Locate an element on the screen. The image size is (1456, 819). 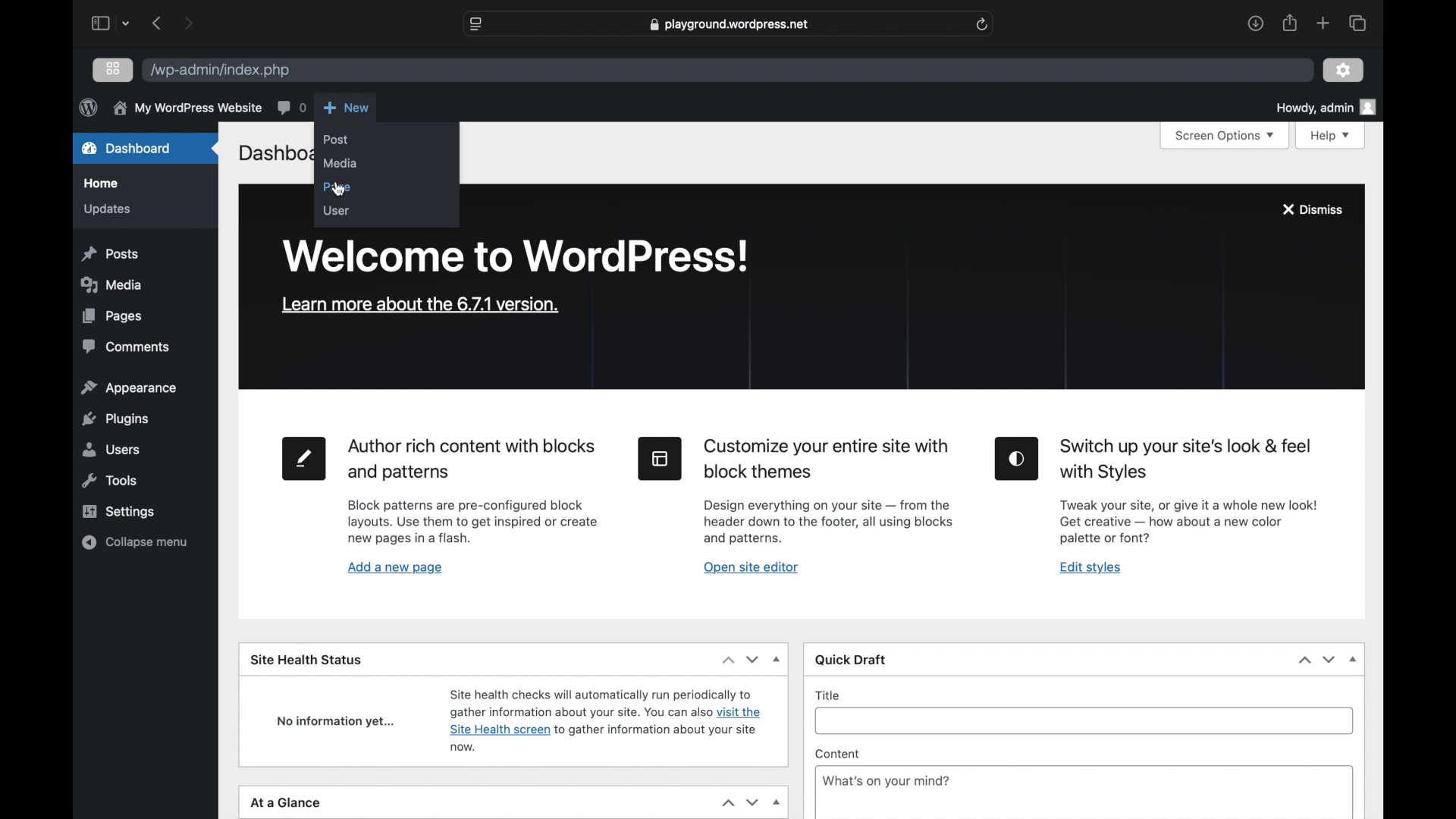
learn more about the version 6.7.1 is located at coordinates (421, 306).